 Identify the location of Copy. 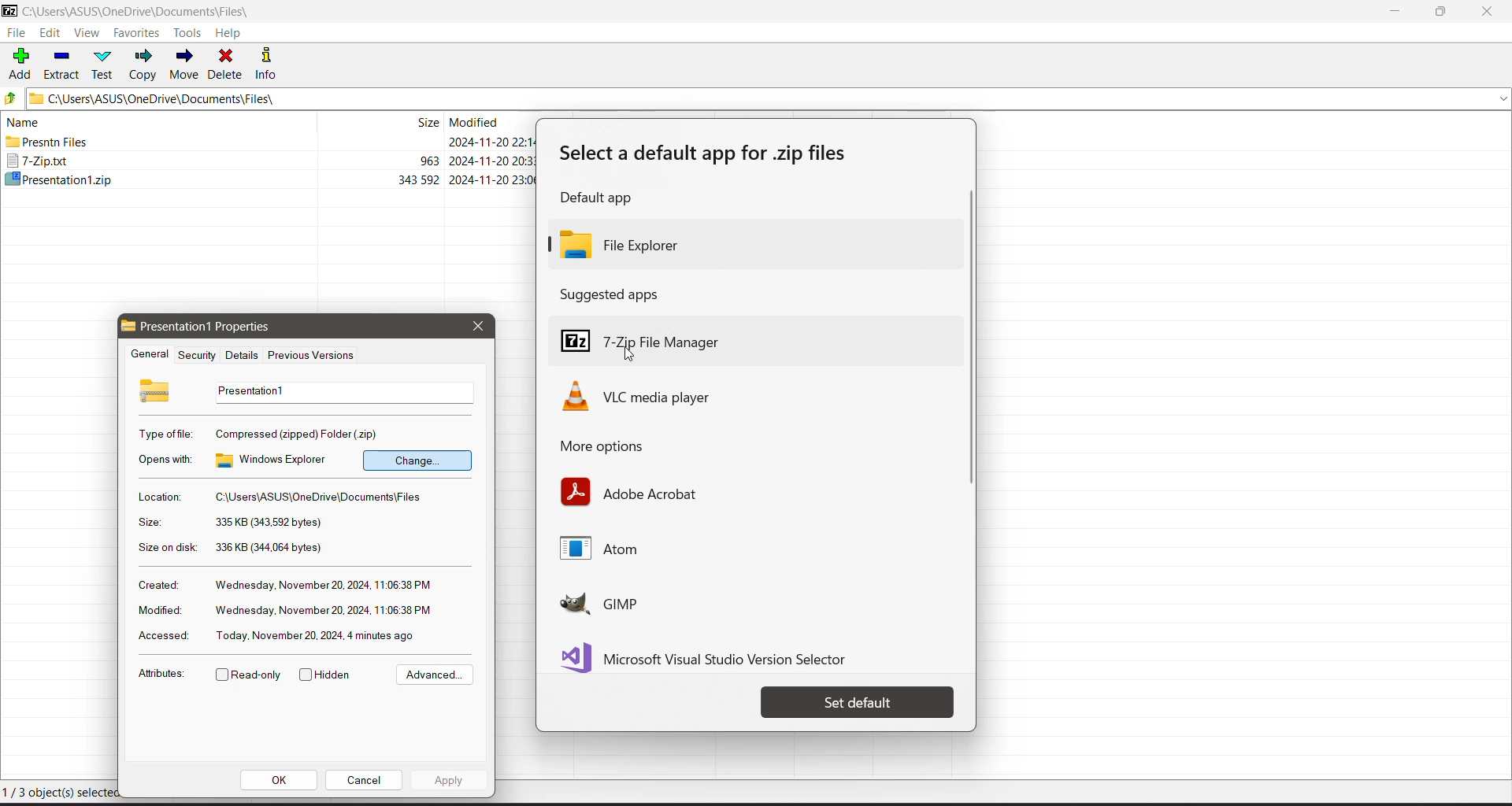
(144, 65).